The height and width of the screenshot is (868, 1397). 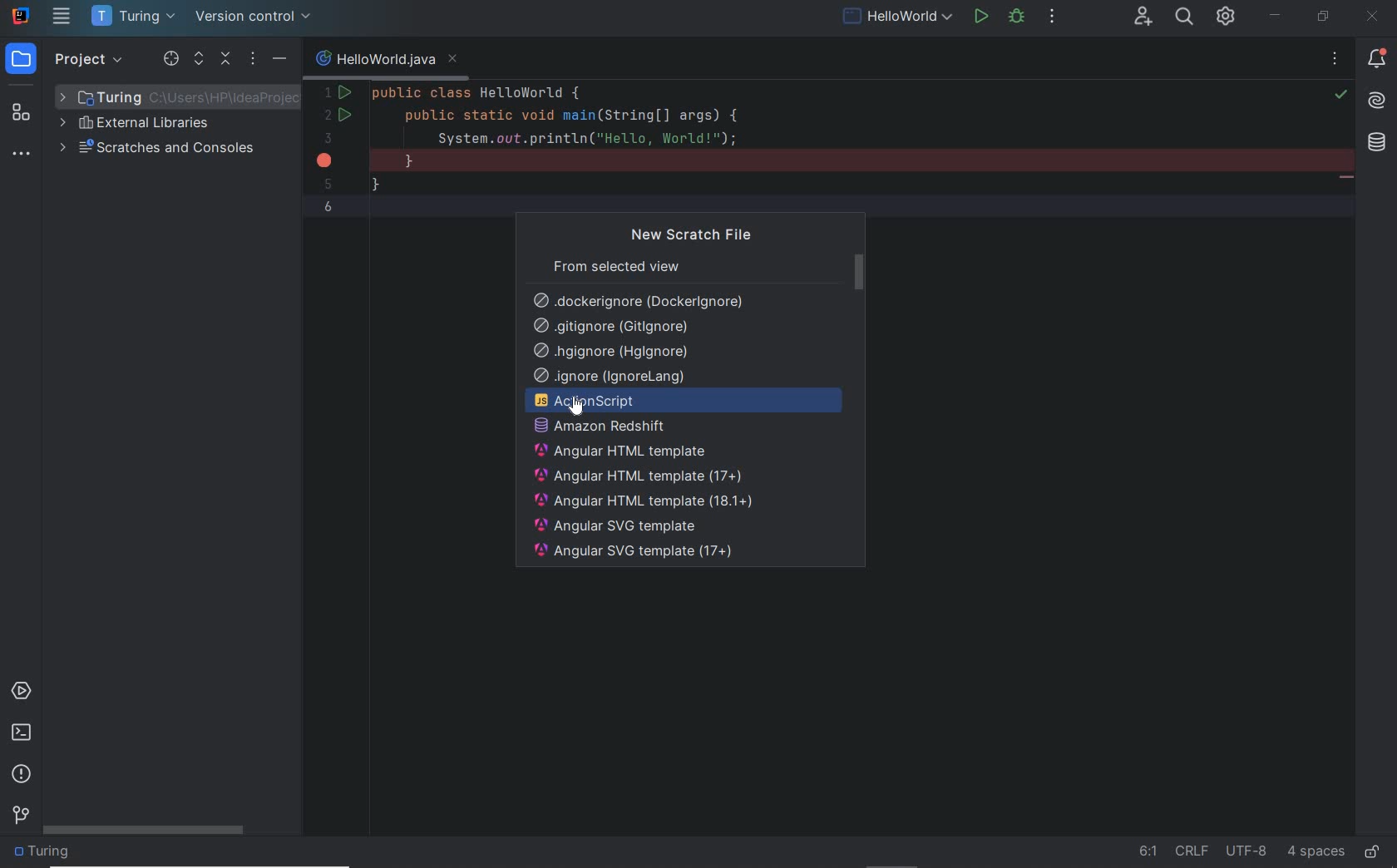 I want to click on more options, so click(x=1335, y=62).